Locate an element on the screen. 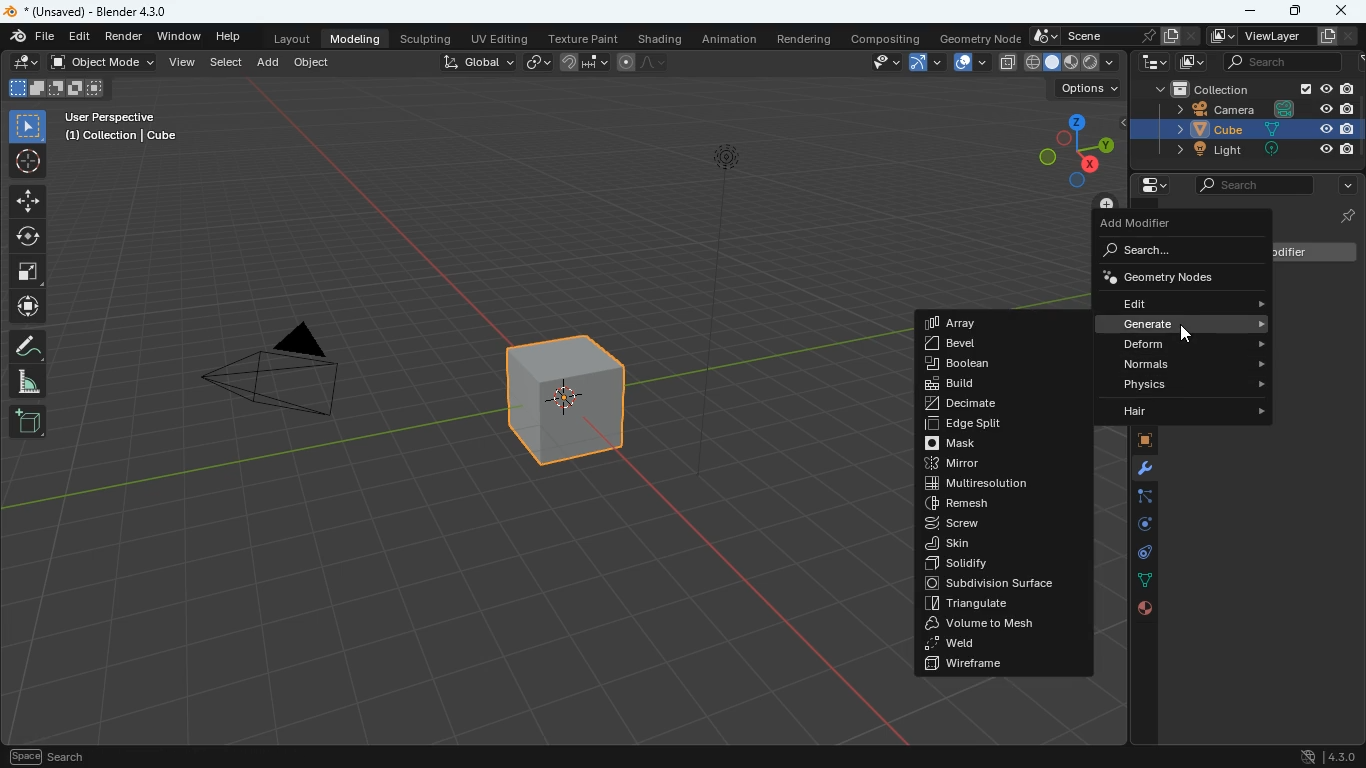 The width and height of the screenshot is (1366, 768). circle is located at coordinates (29, 237).